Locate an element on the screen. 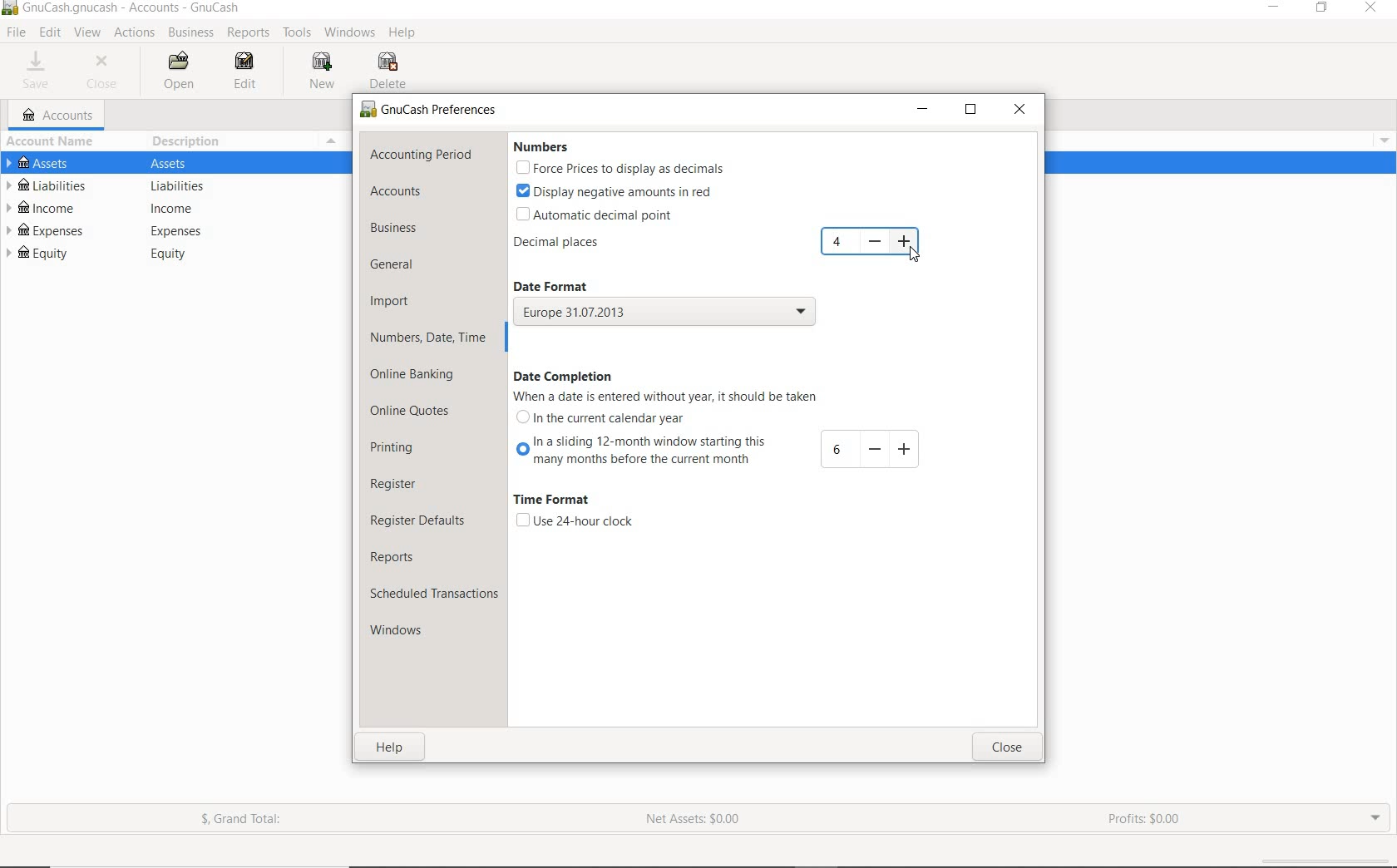  time format is located at coordinates (557, 501).